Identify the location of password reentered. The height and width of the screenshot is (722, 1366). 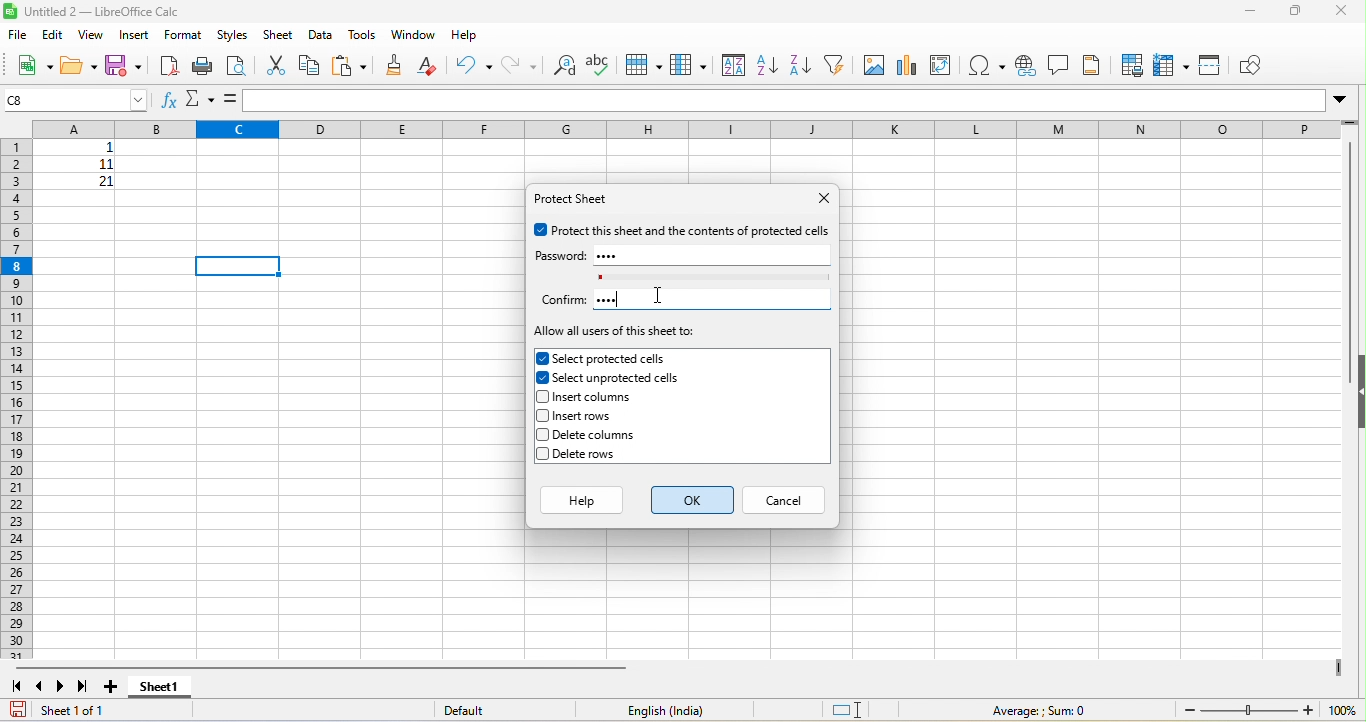
(606, 301).